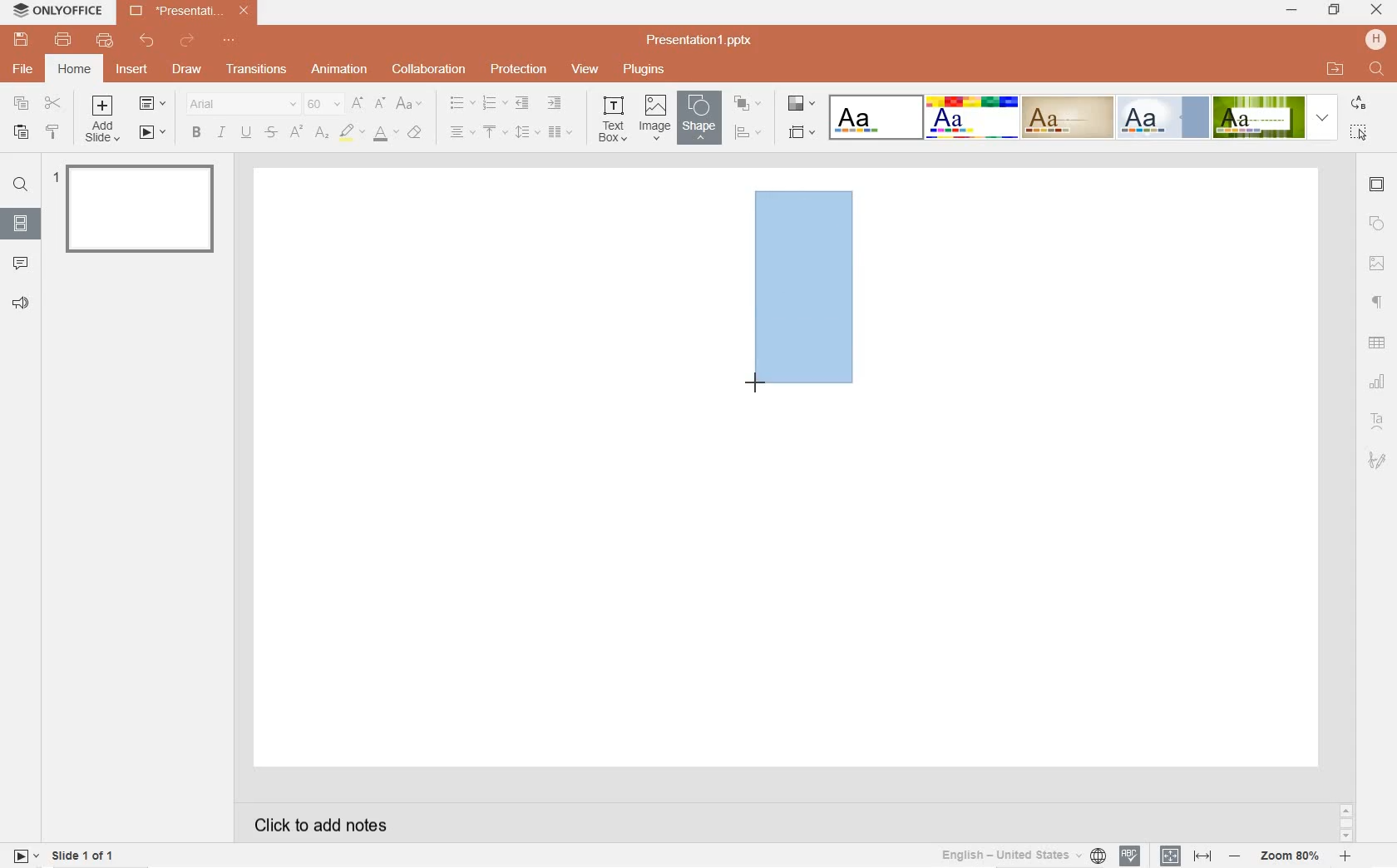 The width and height of the screenshot is (1397, 868). Describe the element at coordinates (104, 42) in the screenshot. I see `quick print` at that location.